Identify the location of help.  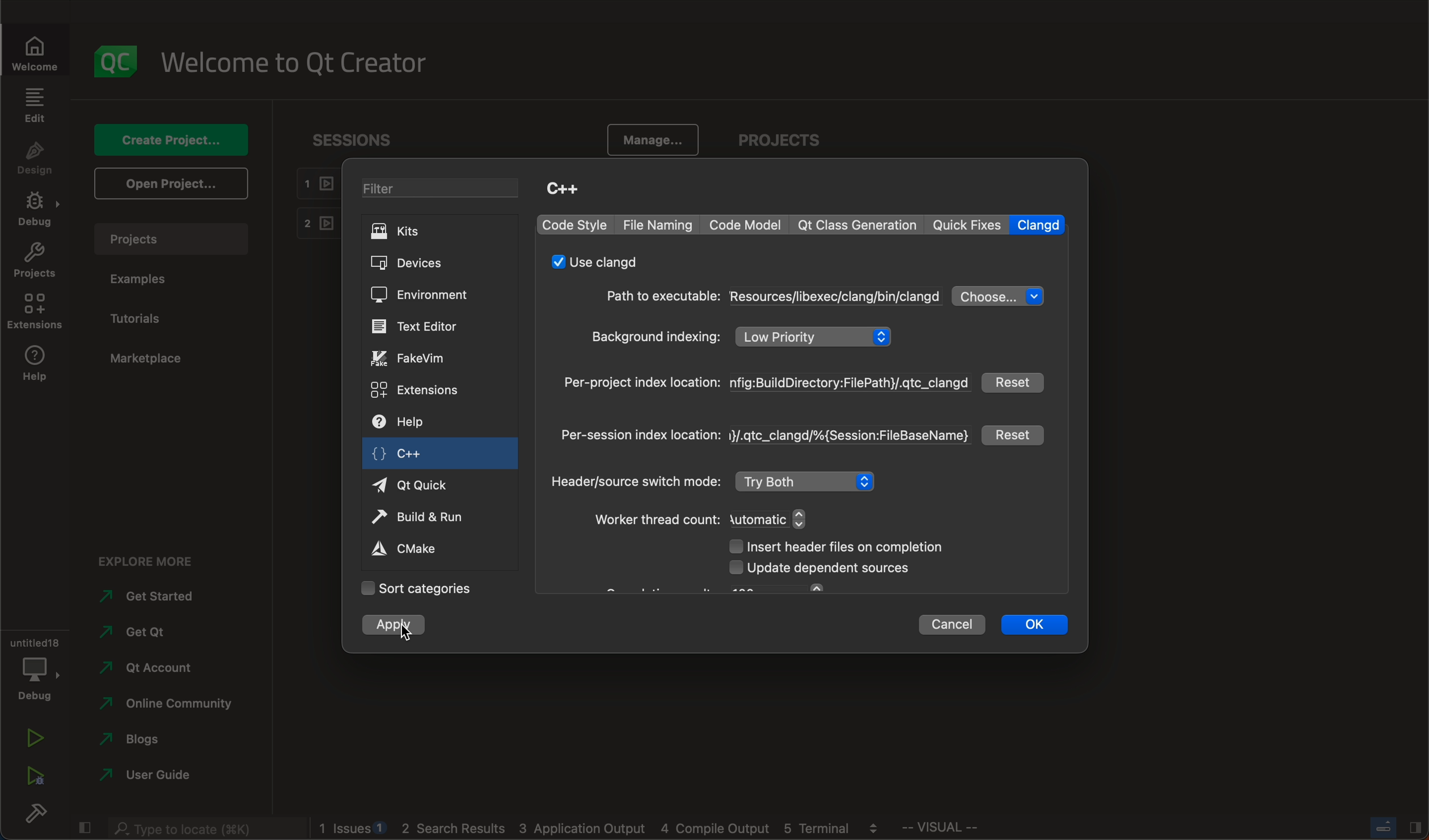
(38, 363).